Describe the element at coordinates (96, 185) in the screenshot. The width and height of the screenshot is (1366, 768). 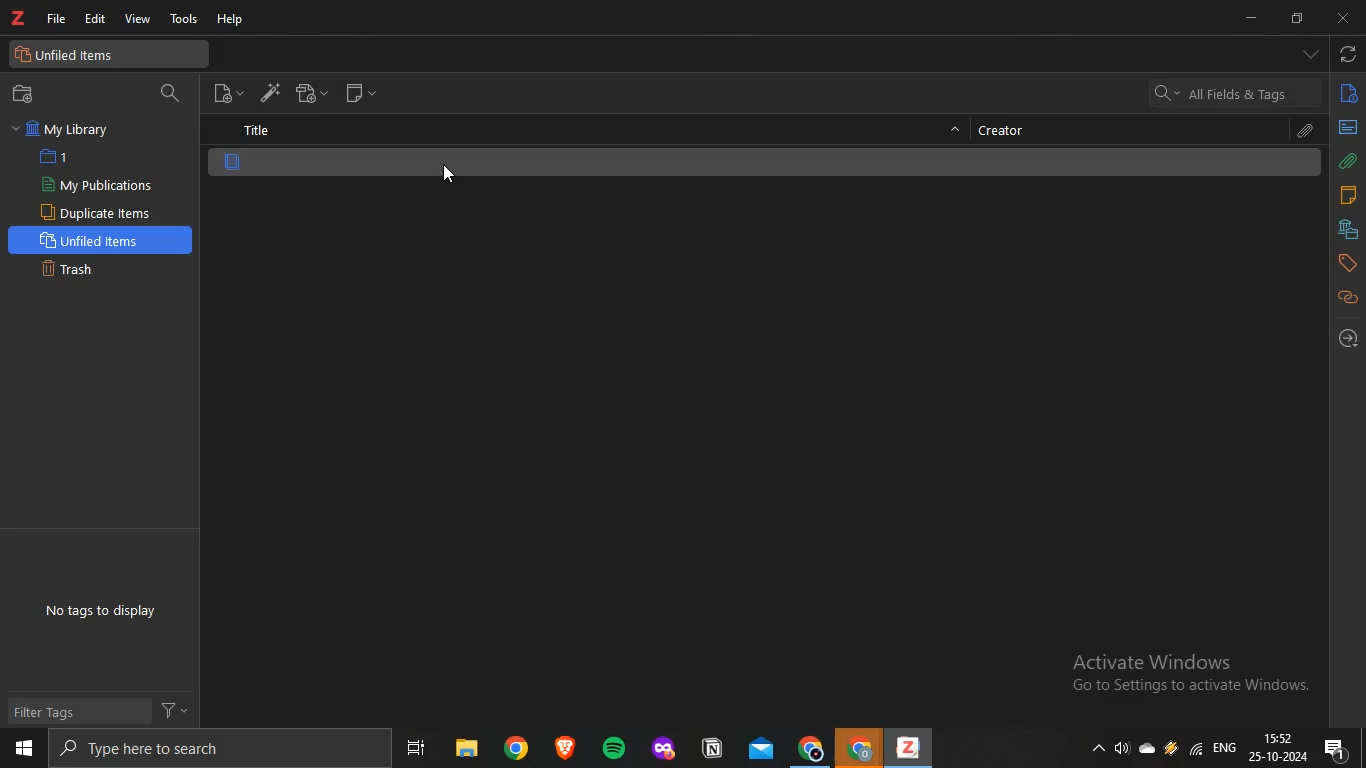
I see `My Publications` at that location.